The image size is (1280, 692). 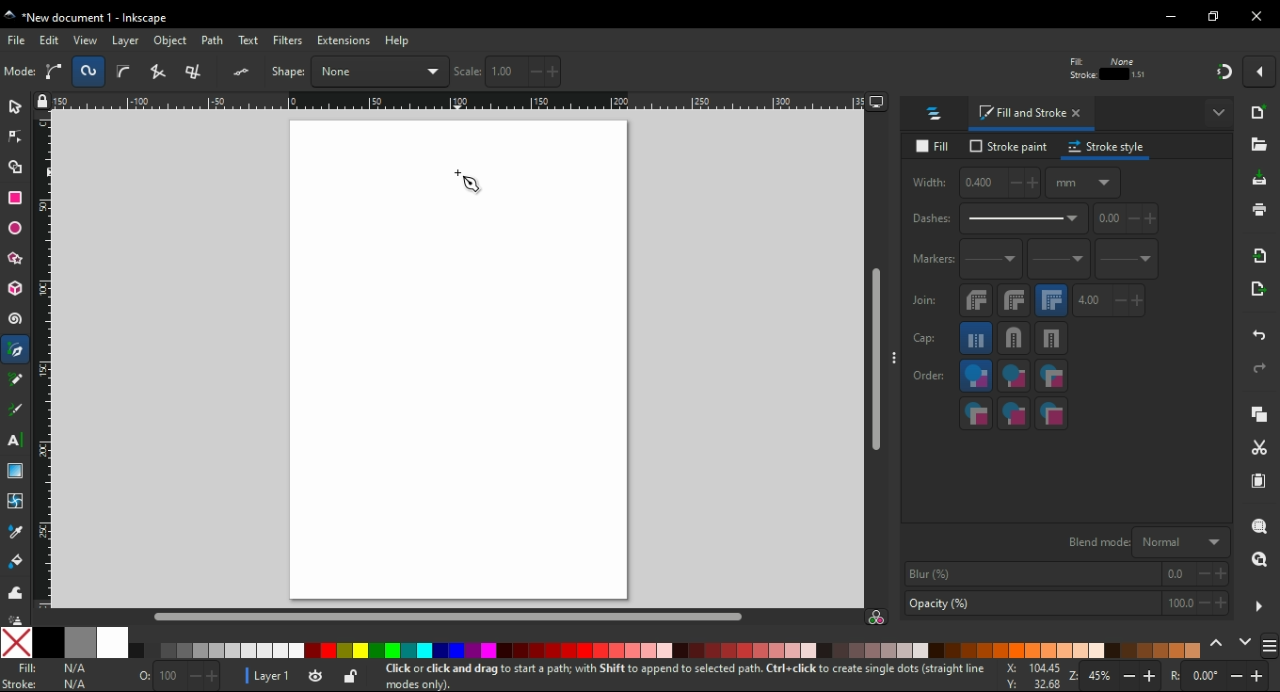 What do you see at coordinates (16, 410) in the screenshot?
I see `calligraphy tool` at bounding box center [16, 410].